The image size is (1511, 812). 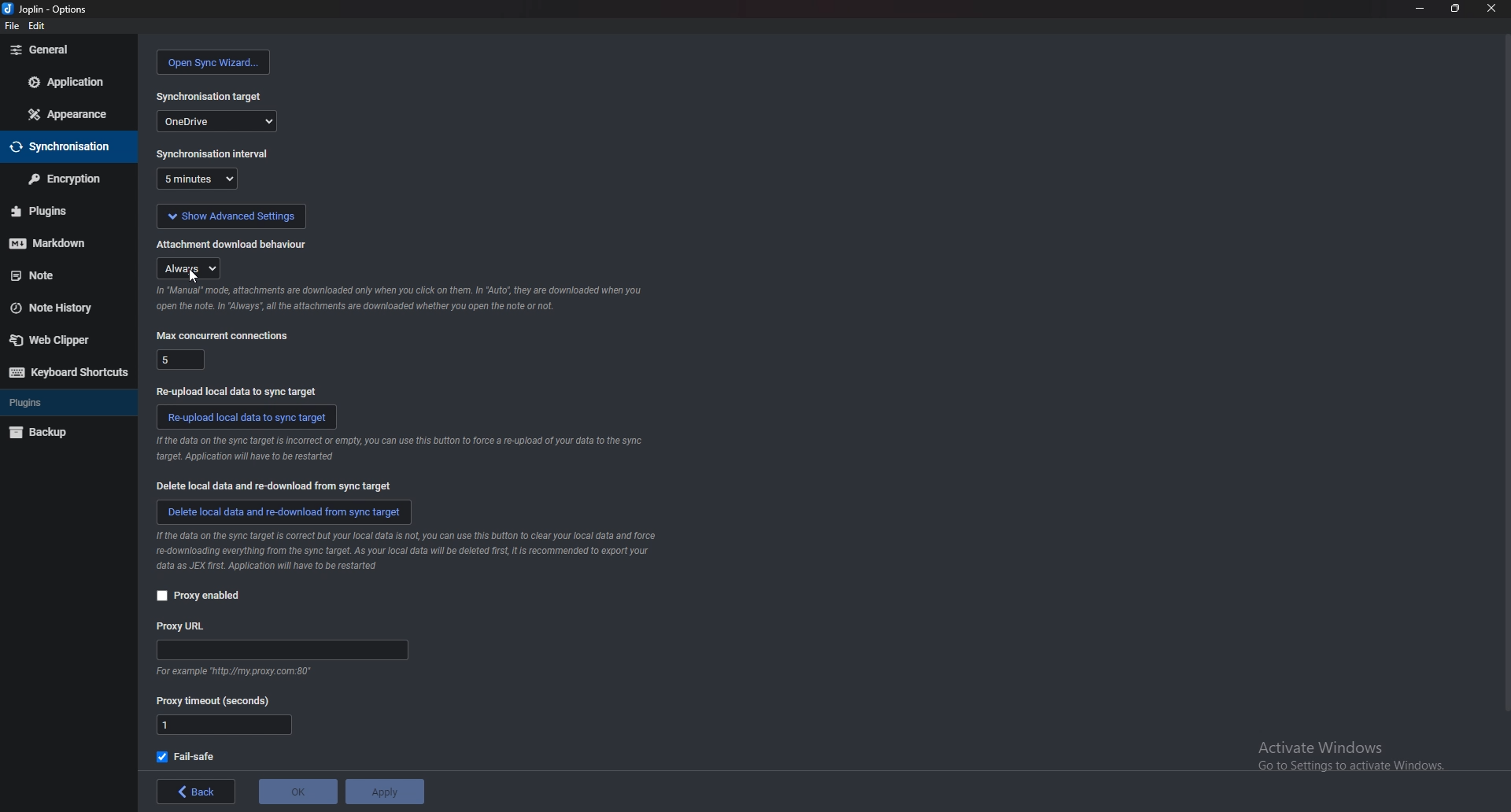 What do you see at coordinates (1490, 8) in the screenshot?
I see `close` at bounding box center [1490, 8].